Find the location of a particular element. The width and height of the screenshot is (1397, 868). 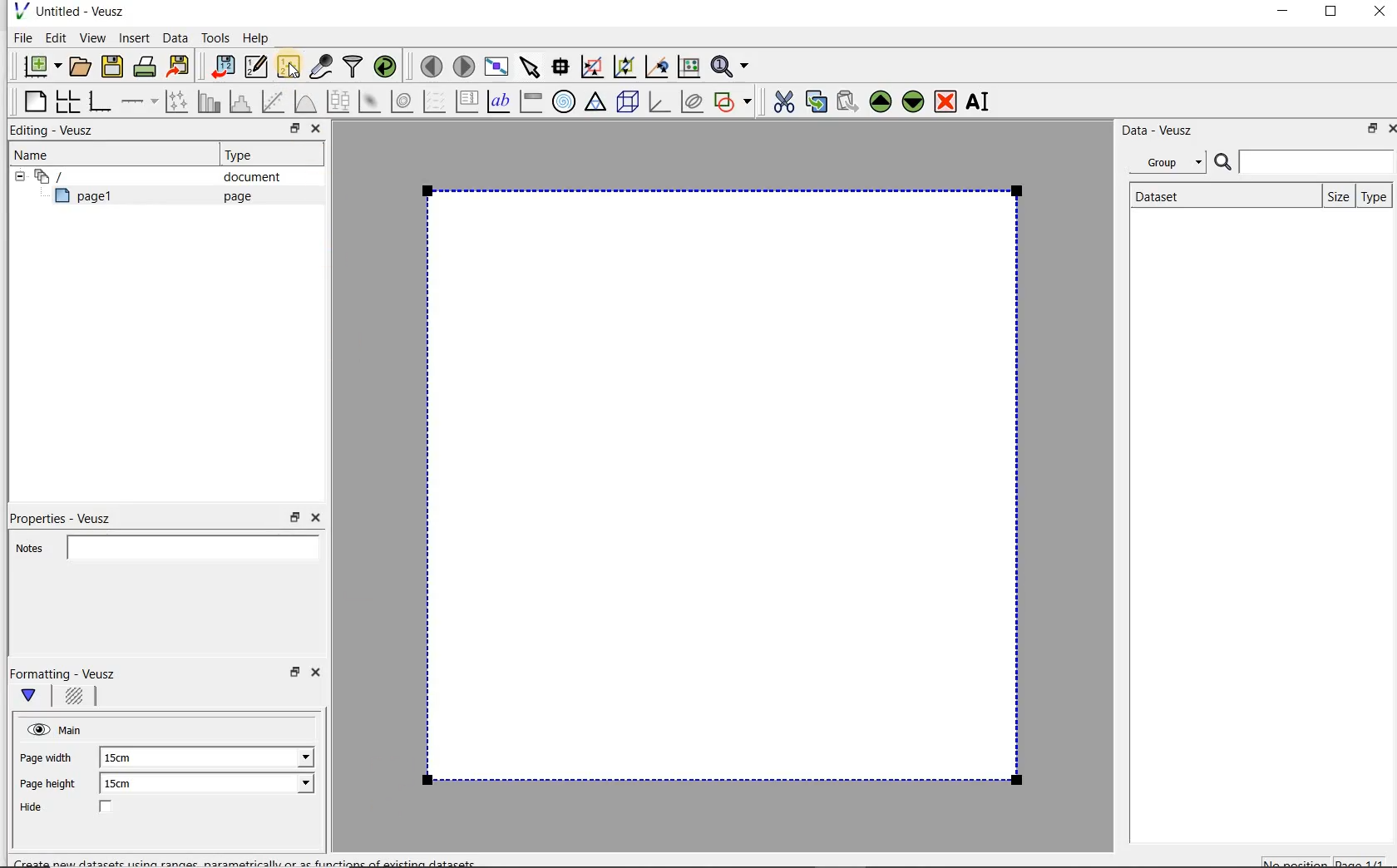

text label is located at coordinates (501, 101).